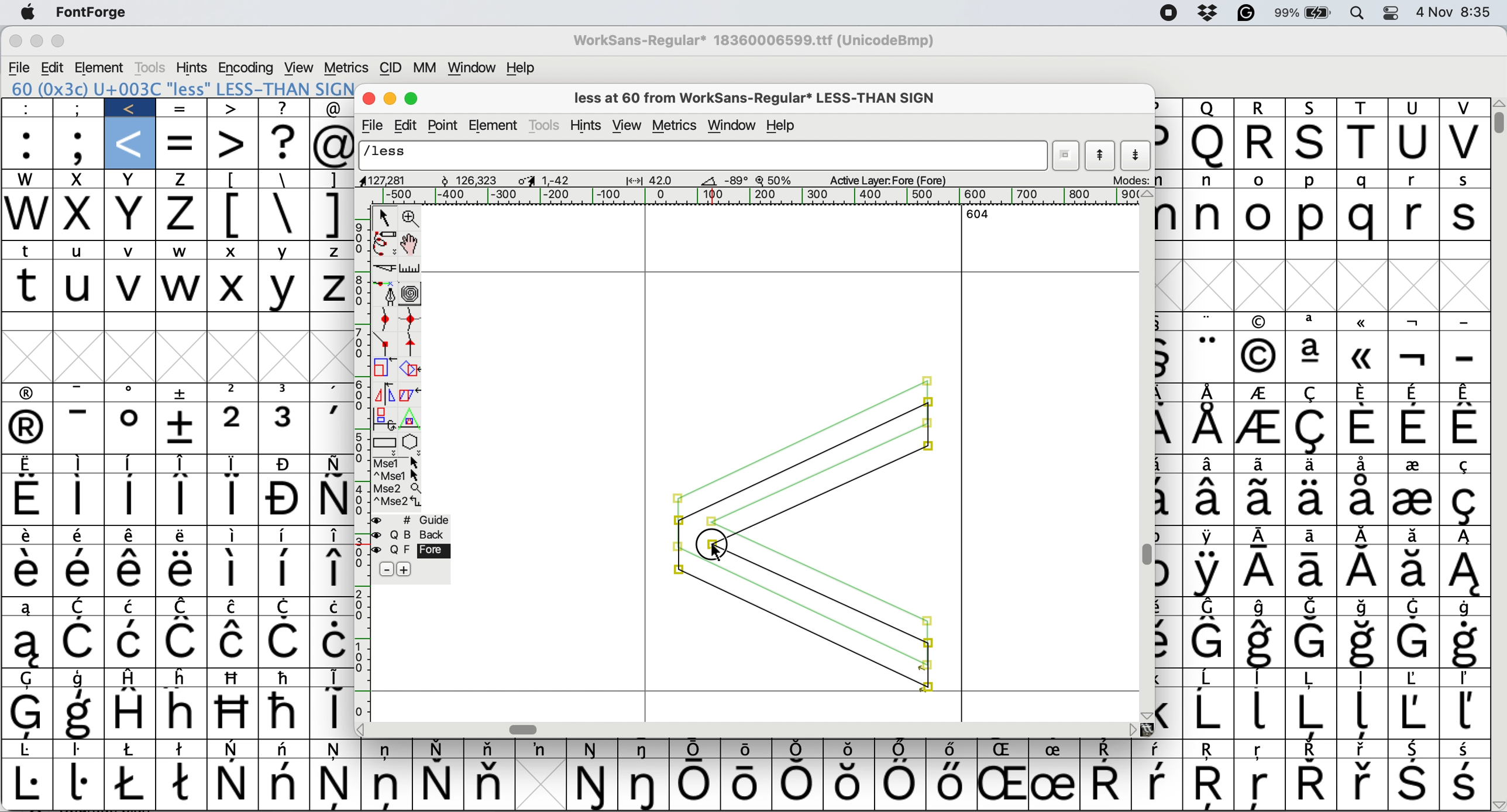  What do you see at coordinates (37, 42) in the screenshot?
I see `minimise` at bounding box center [37, 42].